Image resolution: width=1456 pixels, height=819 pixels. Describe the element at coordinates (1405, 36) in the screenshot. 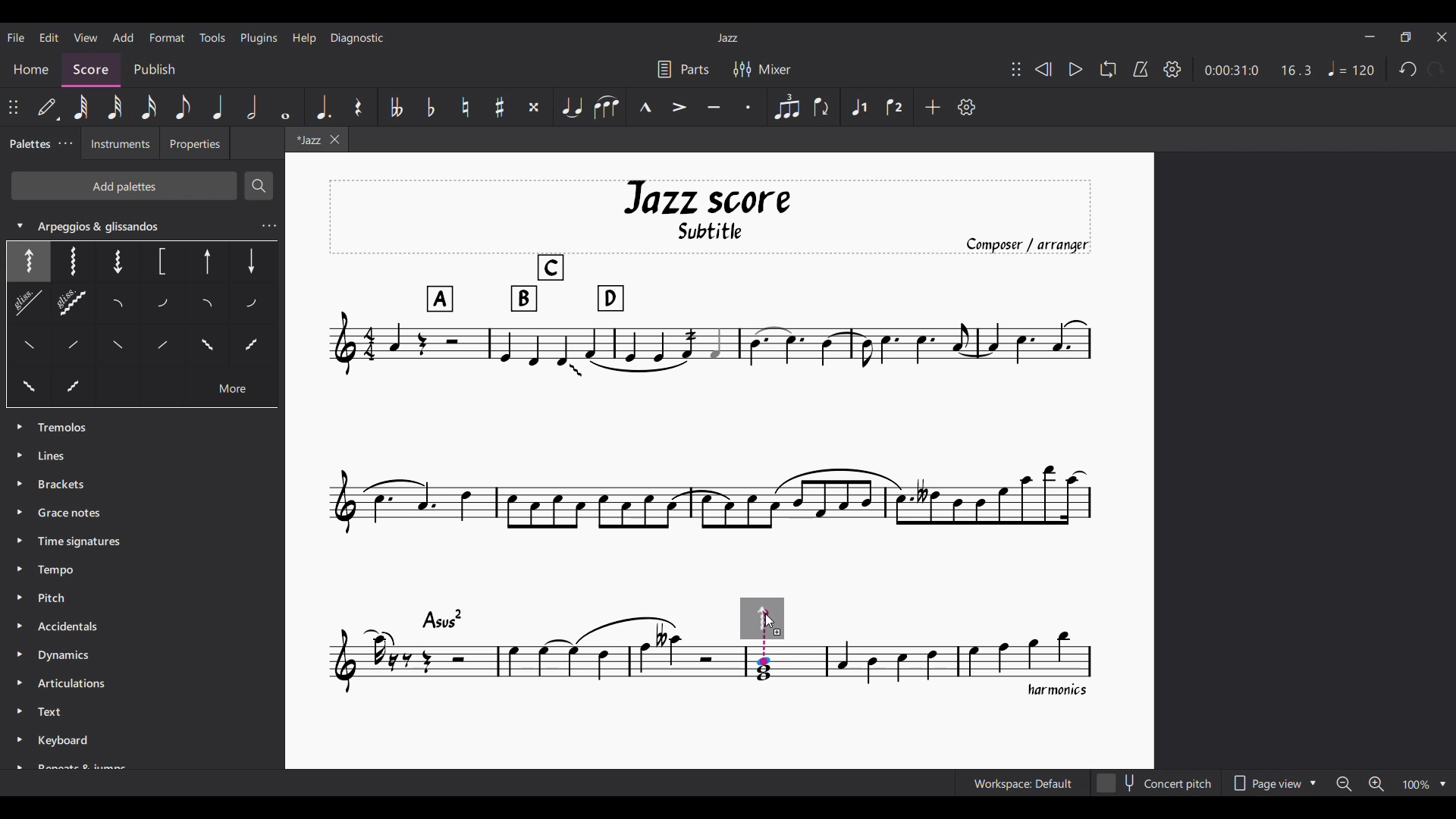

I see `Show in smaller tab` at that location.